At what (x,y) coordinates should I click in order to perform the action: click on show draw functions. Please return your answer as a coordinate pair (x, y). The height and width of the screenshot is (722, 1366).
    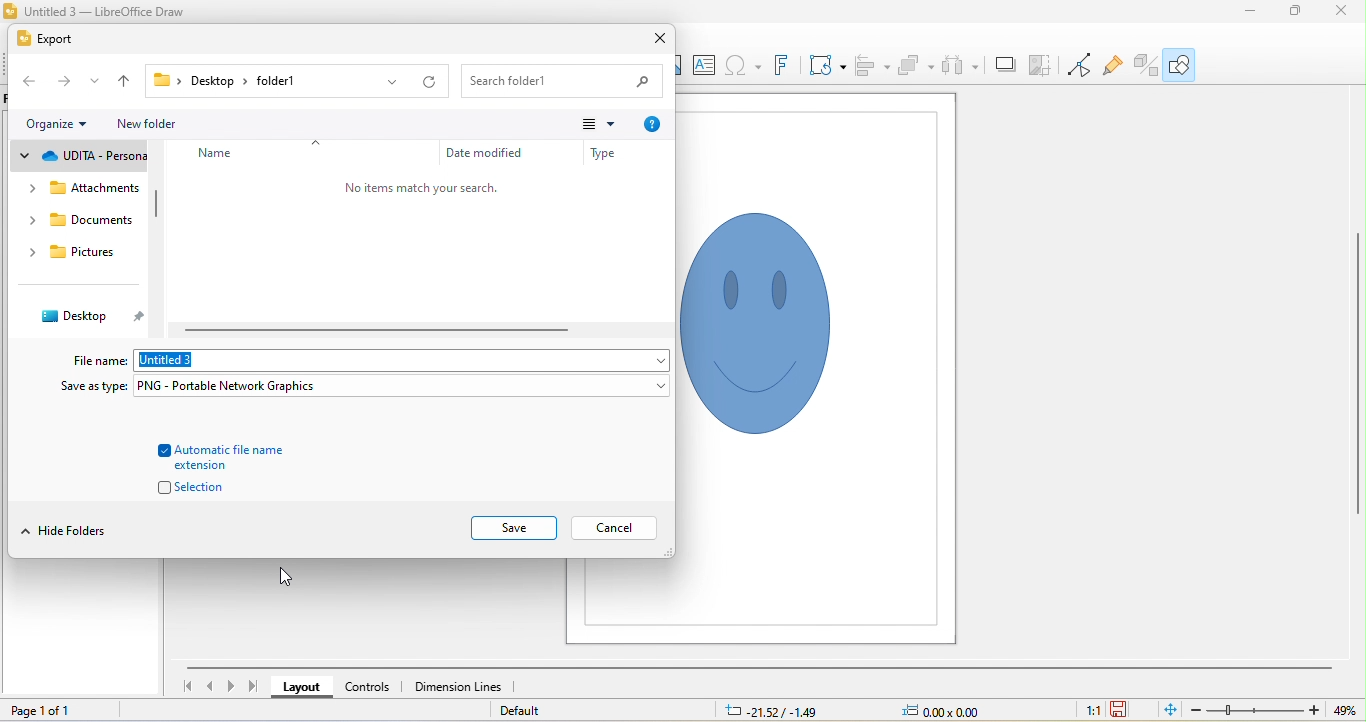
    Looking at the image, I should click on (1180, 64).